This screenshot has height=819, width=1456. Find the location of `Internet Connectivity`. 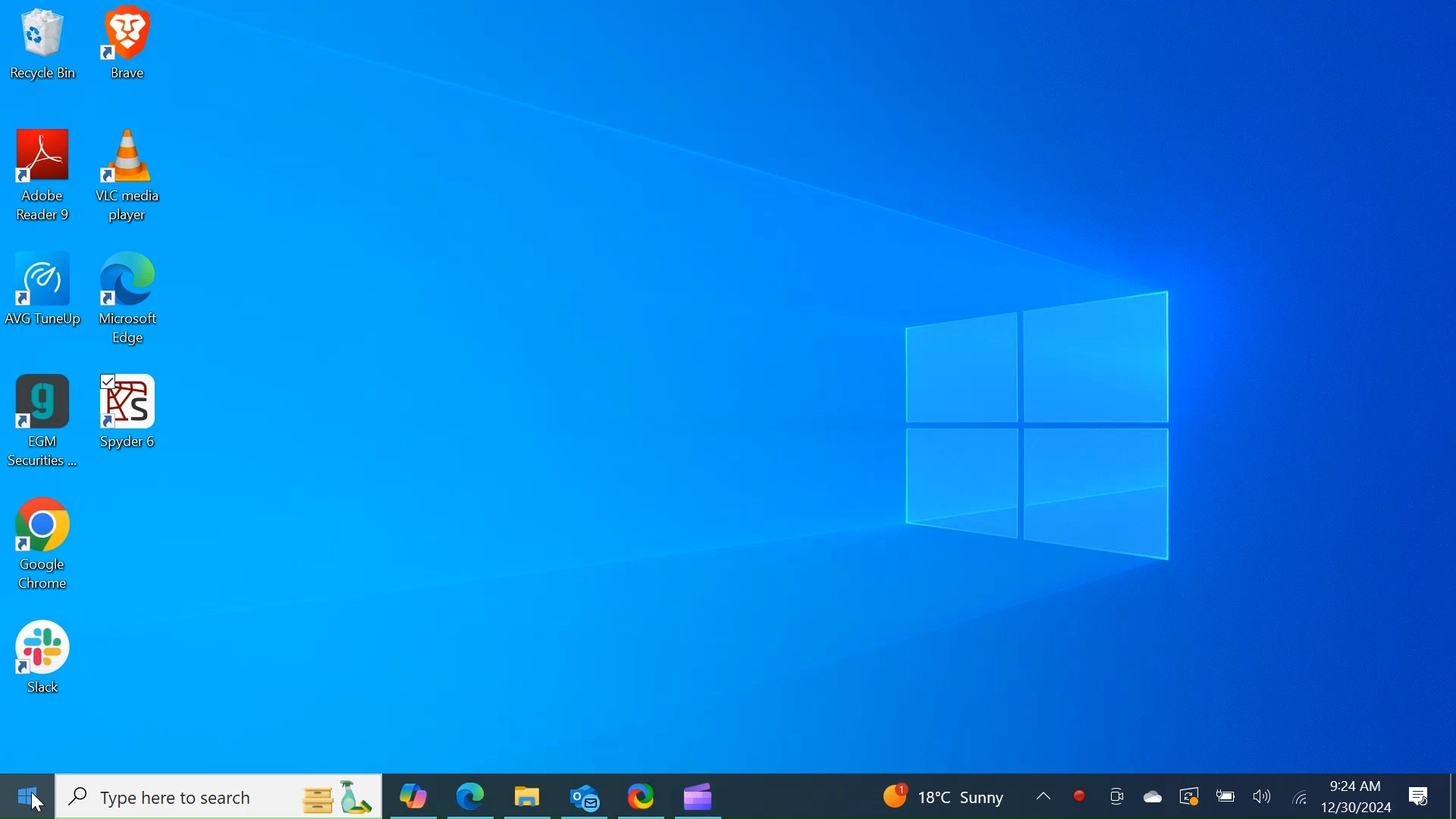

Internet Connectivity is located at coordinates (1299, 796).